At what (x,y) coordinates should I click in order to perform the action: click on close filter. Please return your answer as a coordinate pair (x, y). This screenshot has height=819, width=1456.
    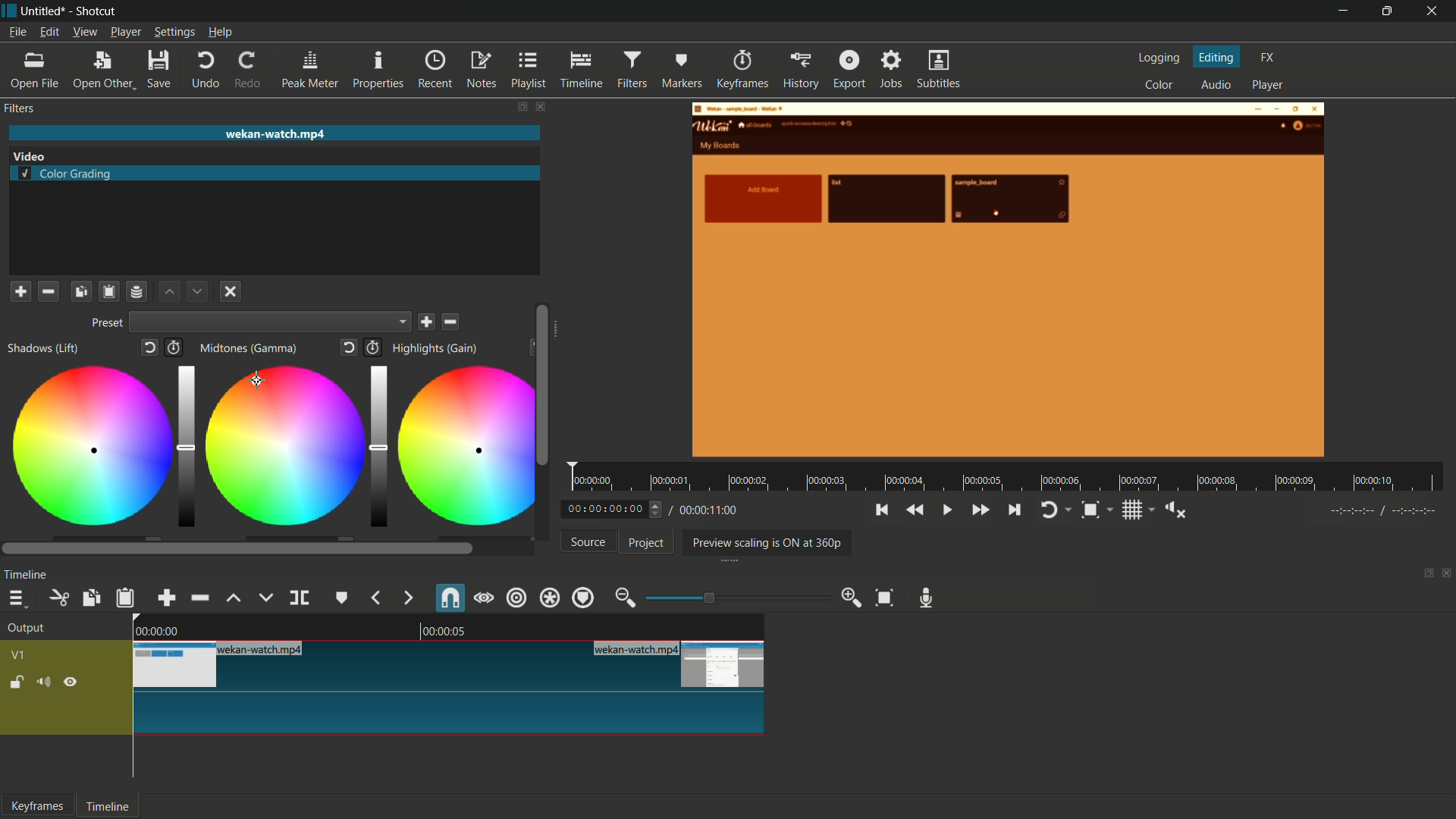
    Looking at the image, I should click on (540, 107).